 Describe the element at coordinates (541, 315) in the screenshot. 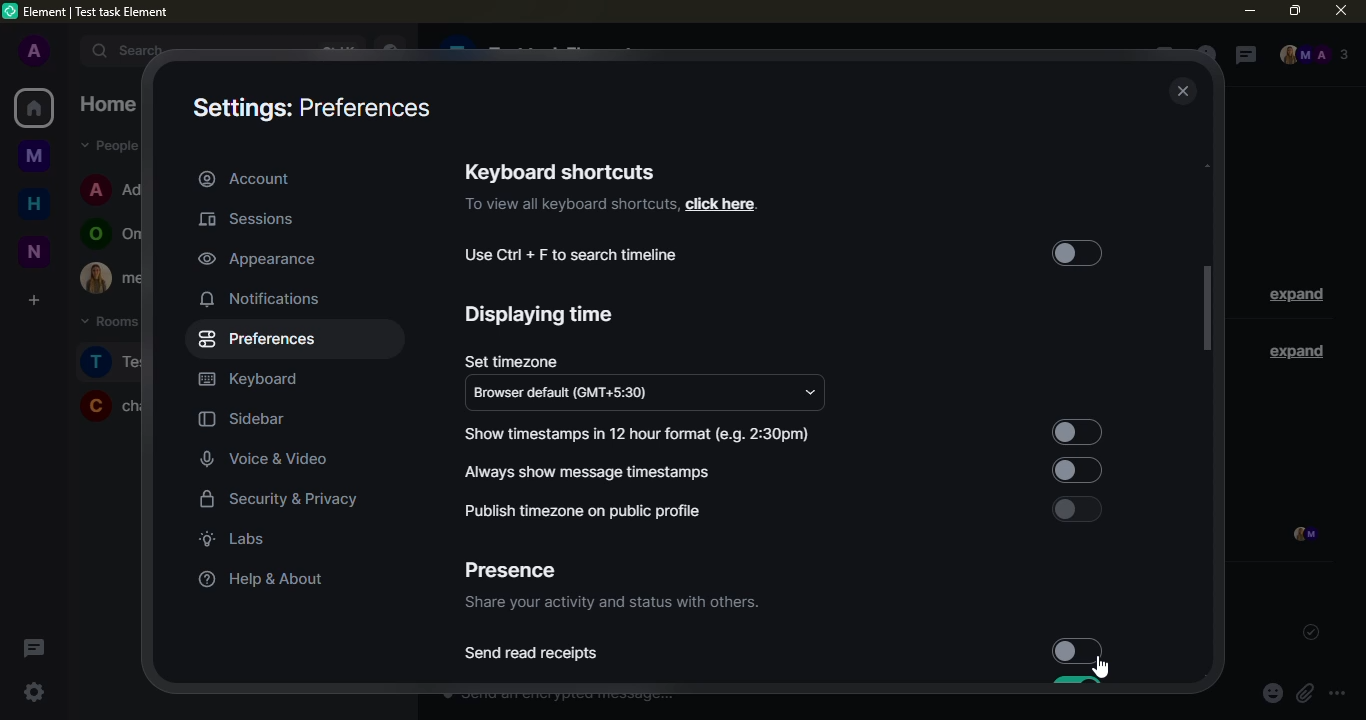

I see `displaying time` at that location.